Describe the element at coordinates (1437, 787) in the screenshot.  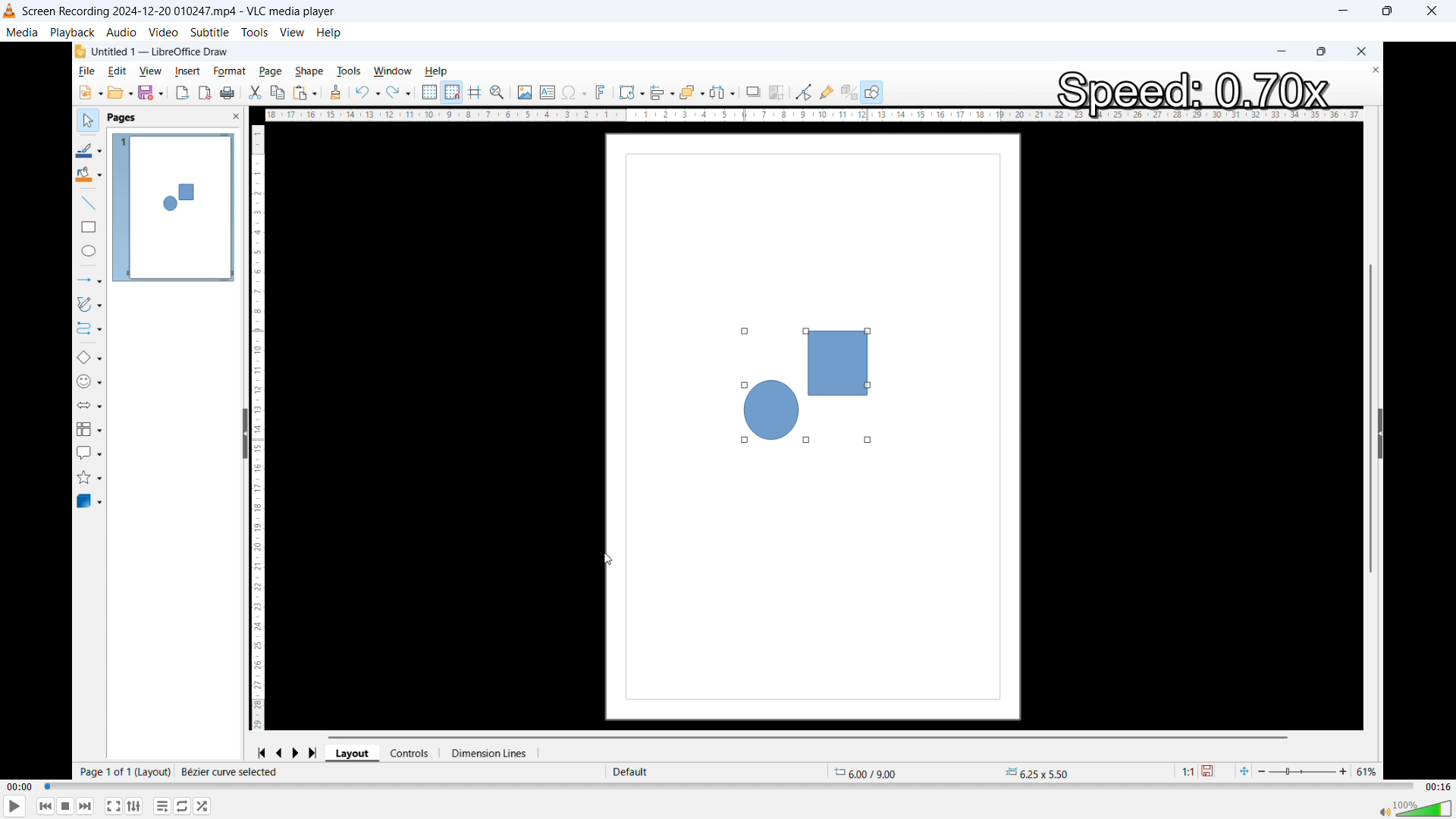
I see `Video duration ` at that location.